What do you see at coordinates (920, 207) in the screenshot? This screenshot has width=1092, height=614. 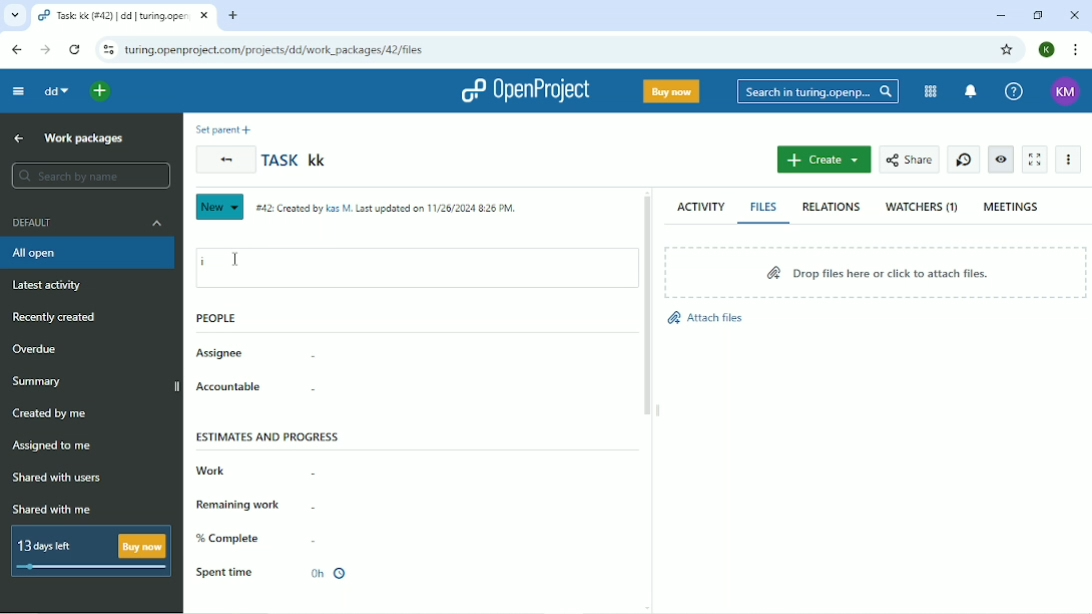 I see `Watchers (1)` at bounding box center [920, 207].